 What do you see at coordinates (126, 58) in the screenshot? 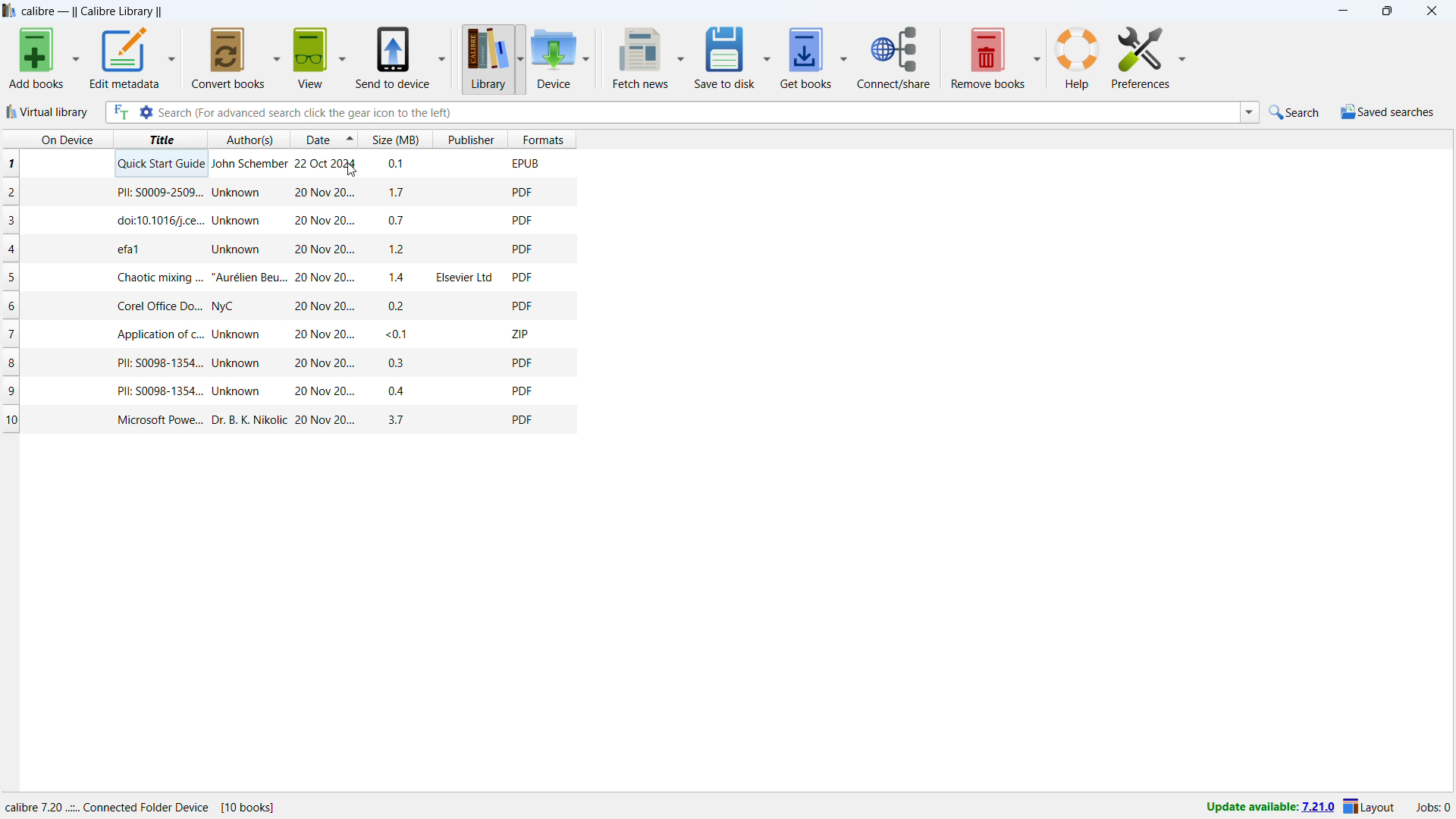
I see `edit metadata options` at bounding box center [126, 58].